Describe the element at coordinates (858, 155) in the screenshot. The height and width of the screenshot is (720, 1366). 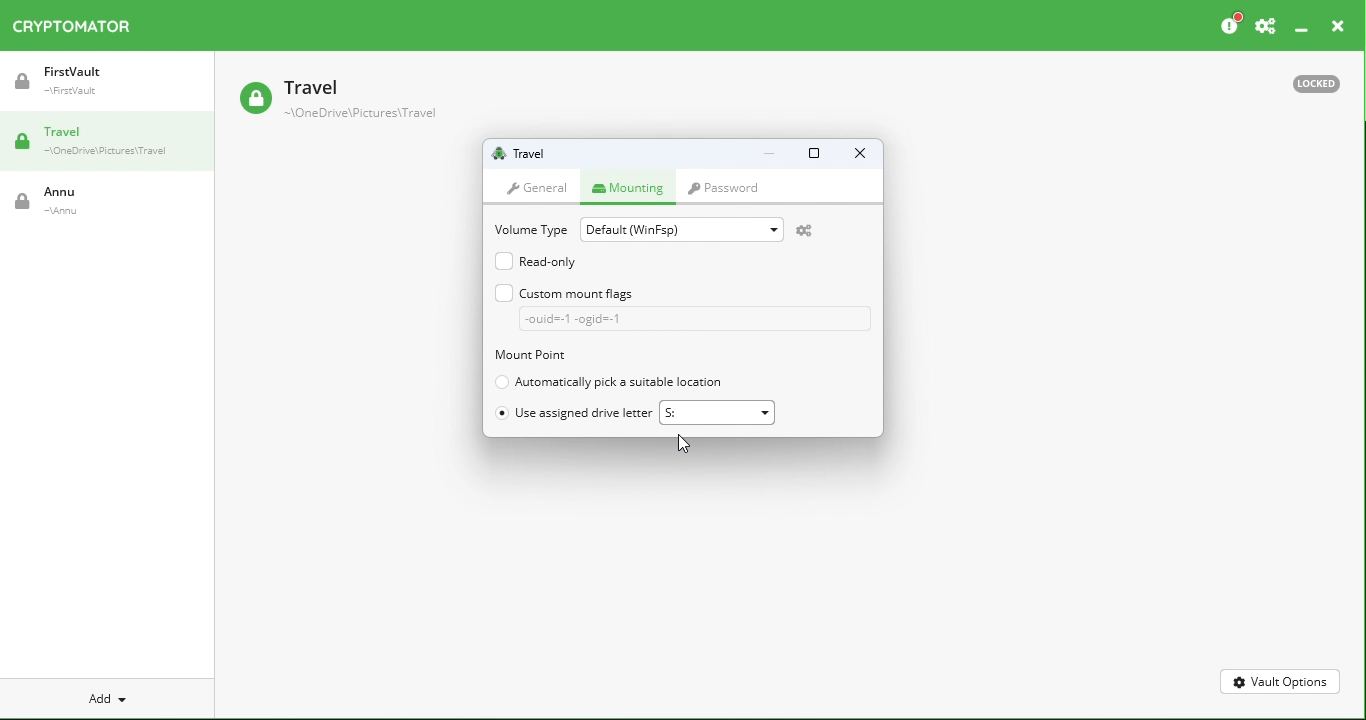
I see `Close` at that location.